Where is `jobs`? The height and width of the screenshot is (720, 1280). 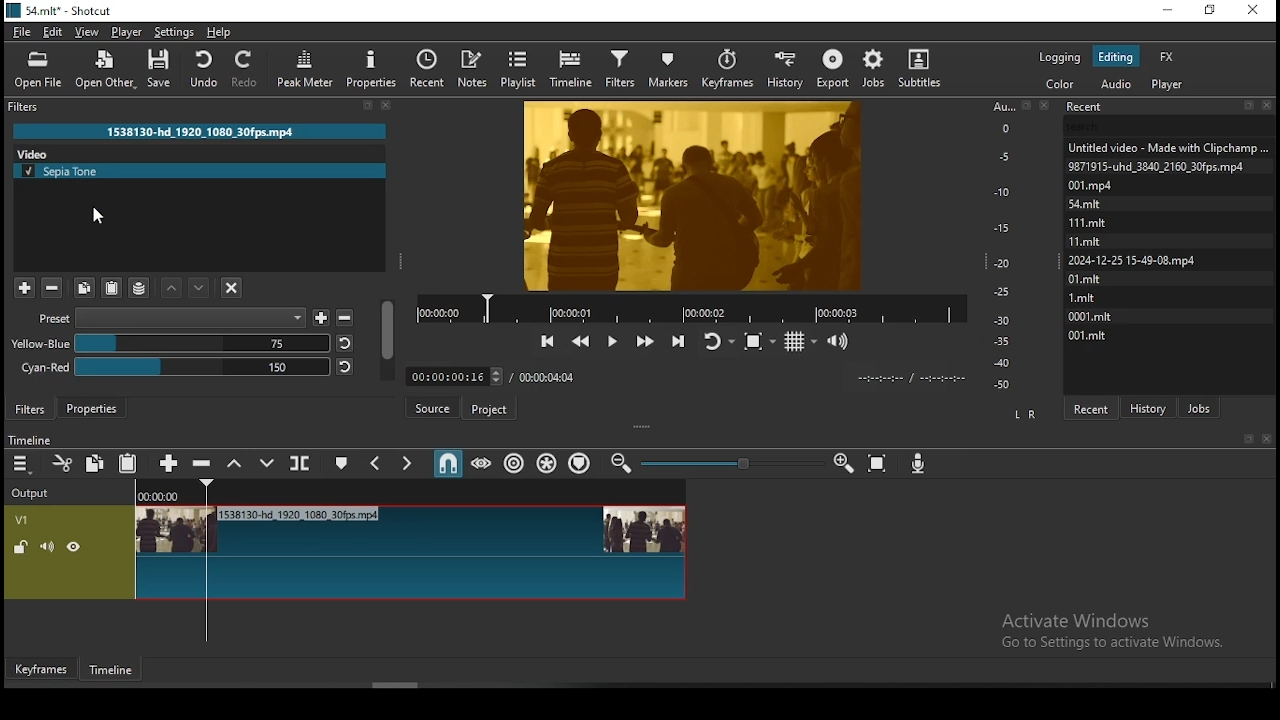
jobs is located at coordinates (875, 68).